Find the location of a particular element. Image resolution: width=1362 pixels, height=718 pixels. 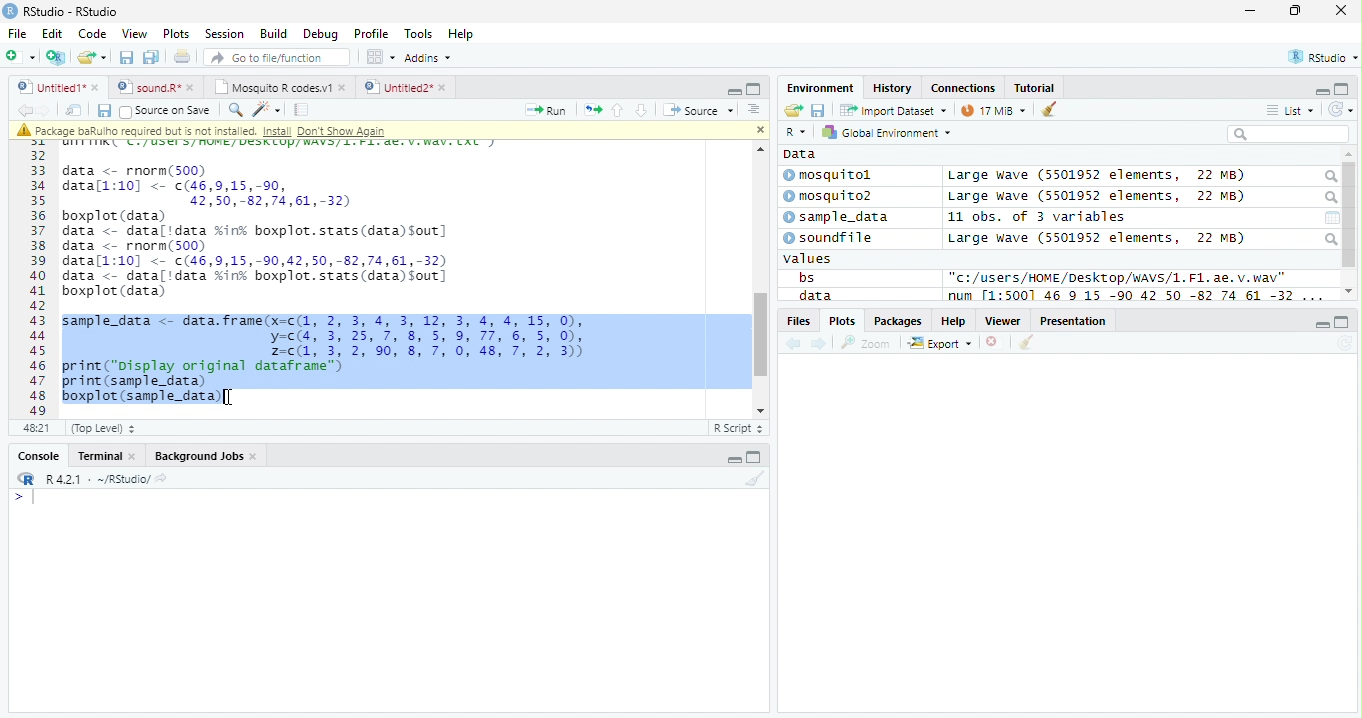

Go to previous section is located at coordinates (616, 110).